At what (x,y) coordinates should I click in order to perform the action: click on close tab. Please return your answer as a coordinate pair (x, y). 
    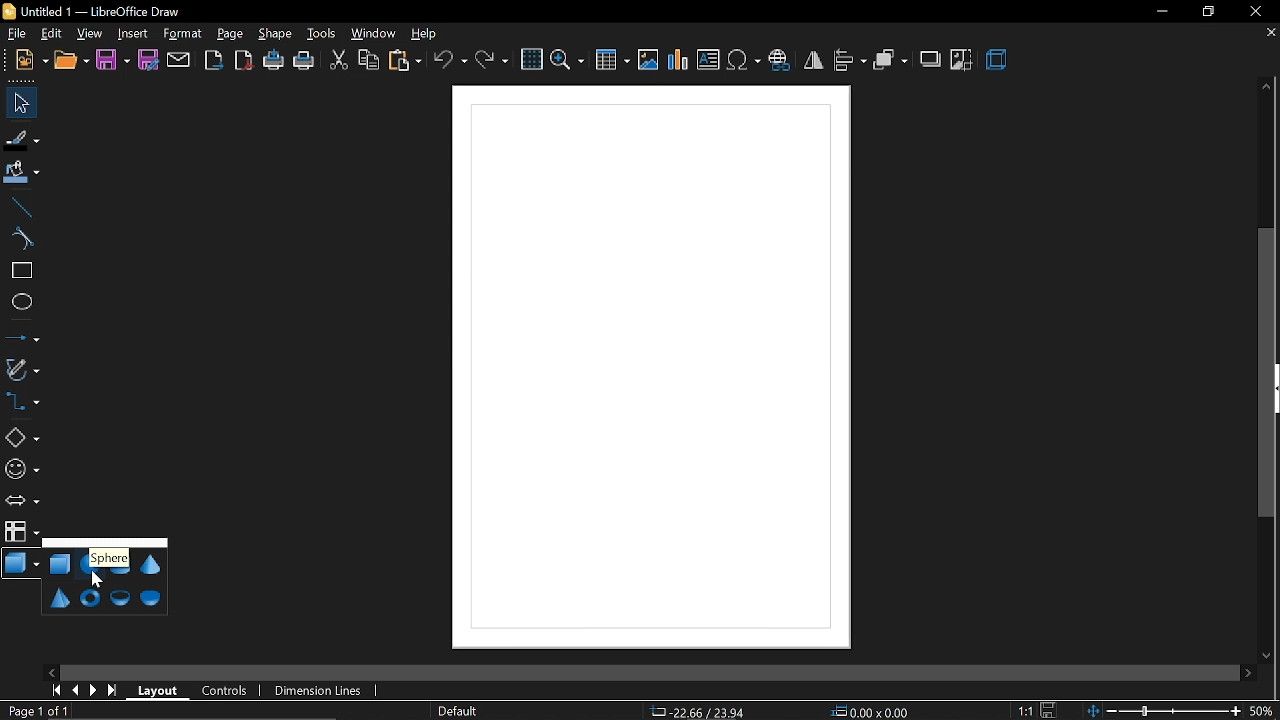
    Looking at the image, I should click on (1268, 33).